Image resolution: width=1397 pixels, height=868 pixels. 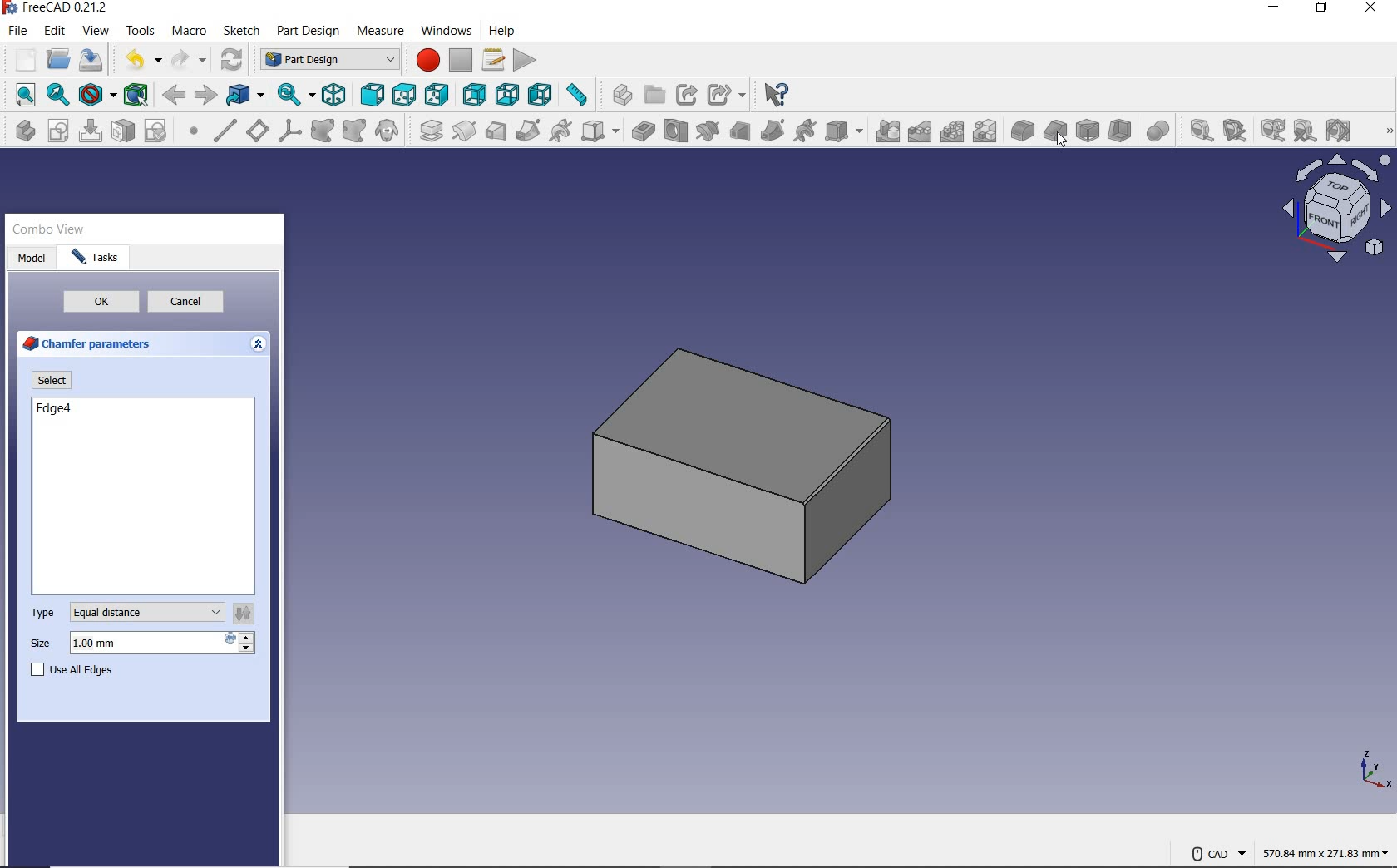 I want to click on sync view, so click(x=294, y=96).